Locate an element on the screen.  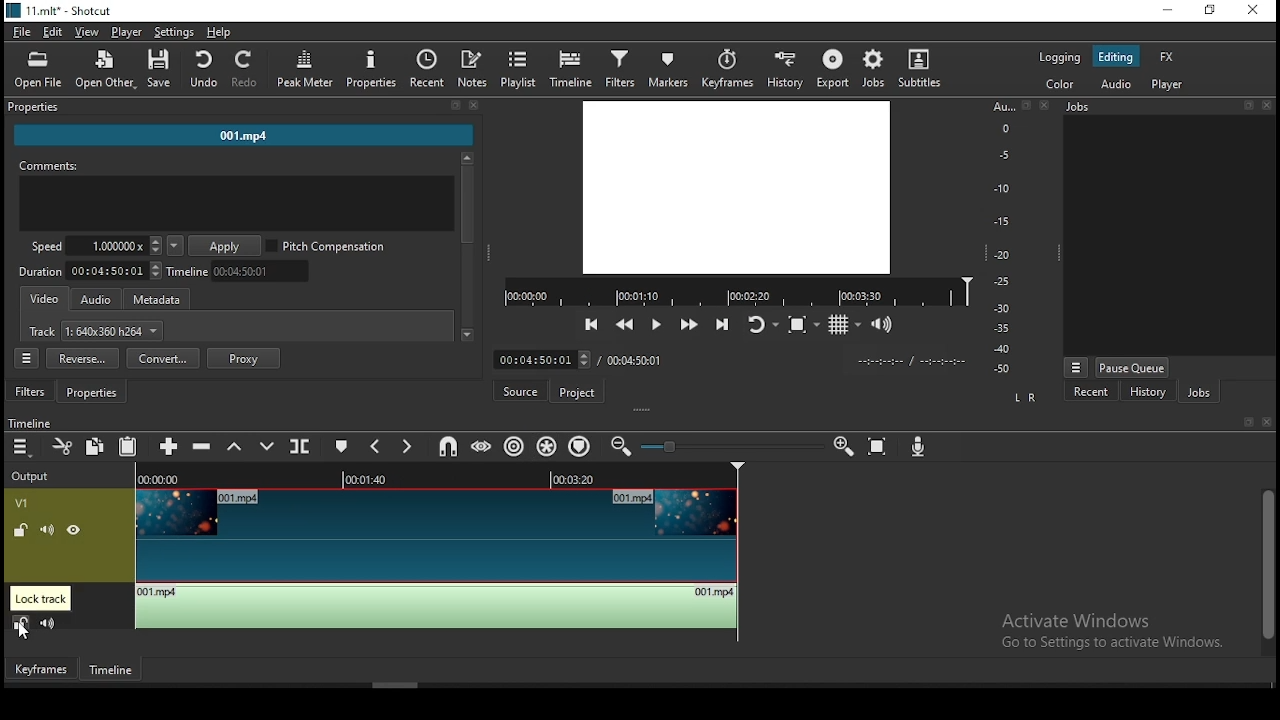
split at playhead is located at coordinates (299, 447).